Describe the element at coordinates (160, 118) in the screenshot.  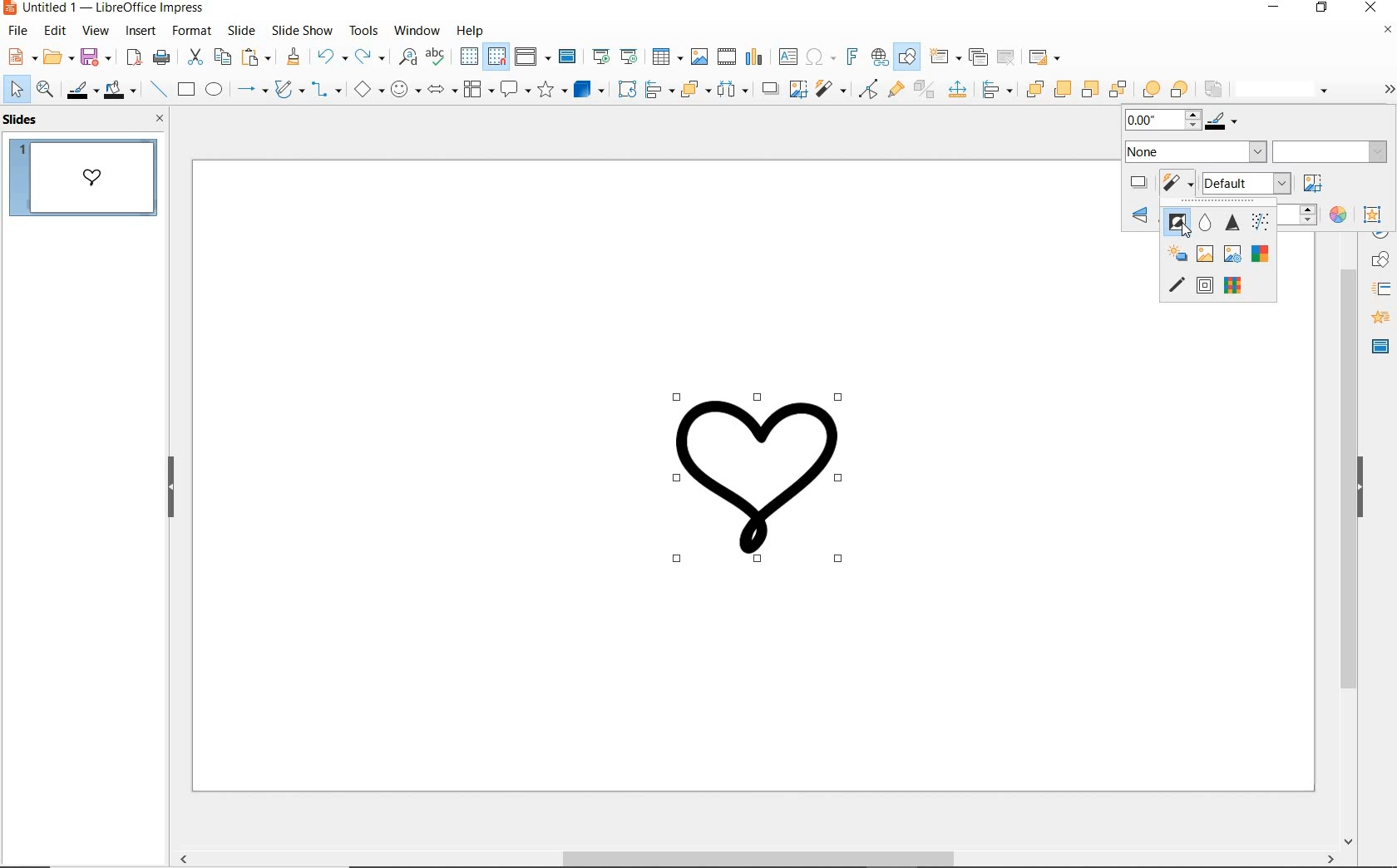
I see `CLOSE` at that location.